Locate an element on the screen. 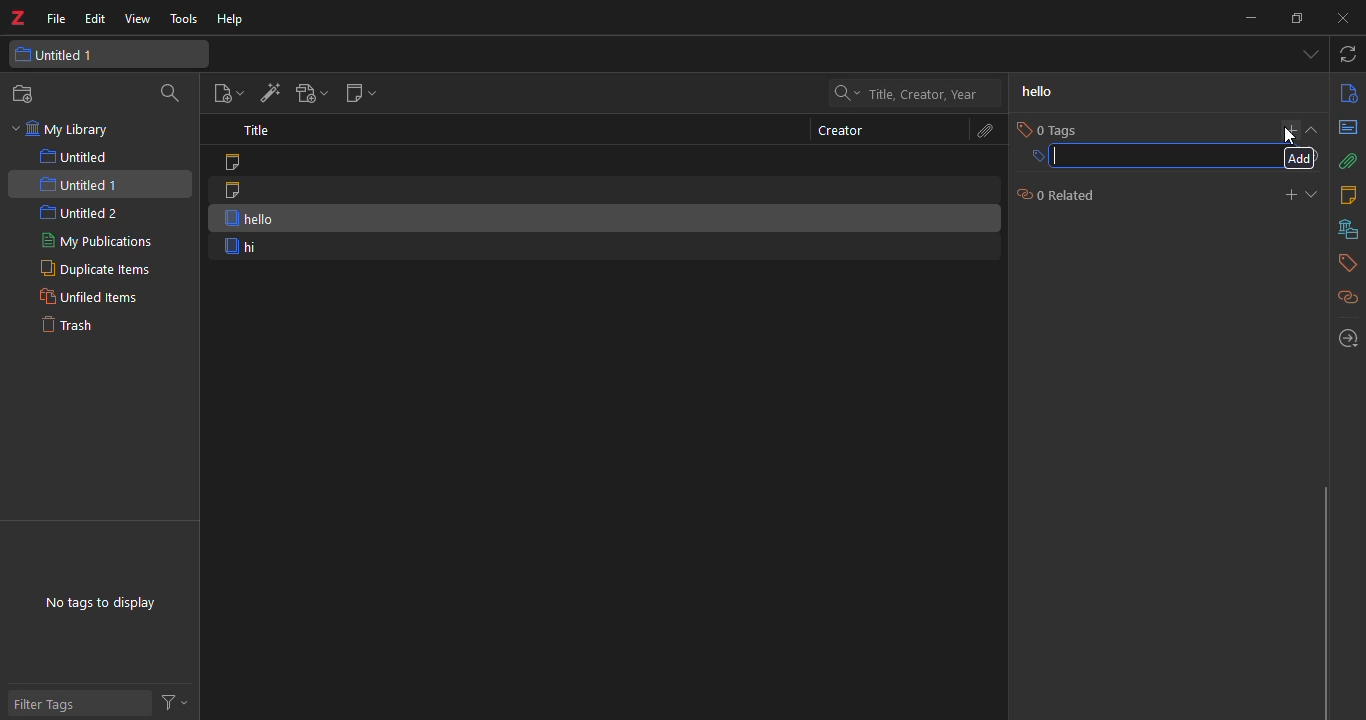 Image resolution: width=1366 pixels, height=720 pixels. z is located at coordinates (22, 19).